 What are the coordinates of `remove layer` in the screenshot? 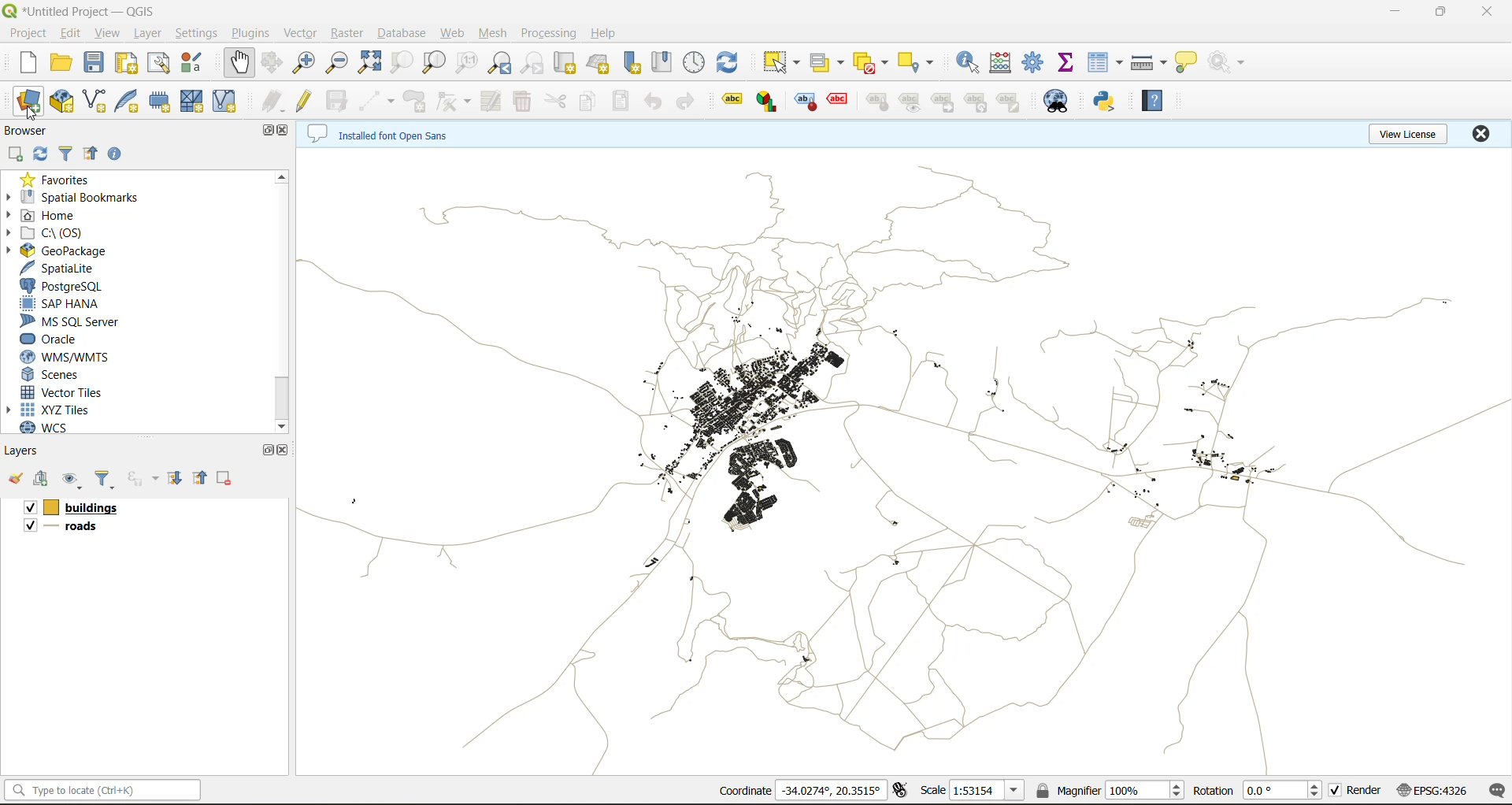 It's located at (226, 478).